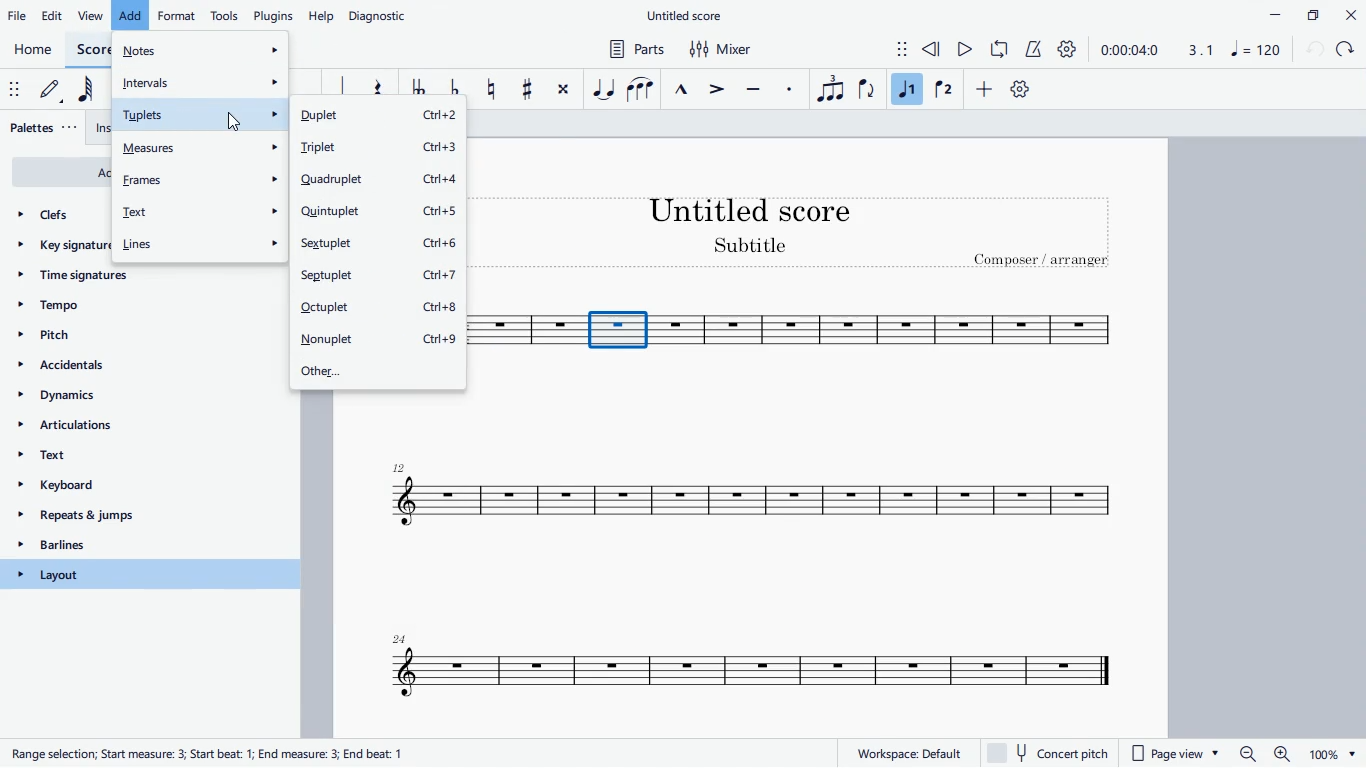 Image resolution: width=1366 pixels, height=768 pixels. I want to click on articulations, so click(136, 429).